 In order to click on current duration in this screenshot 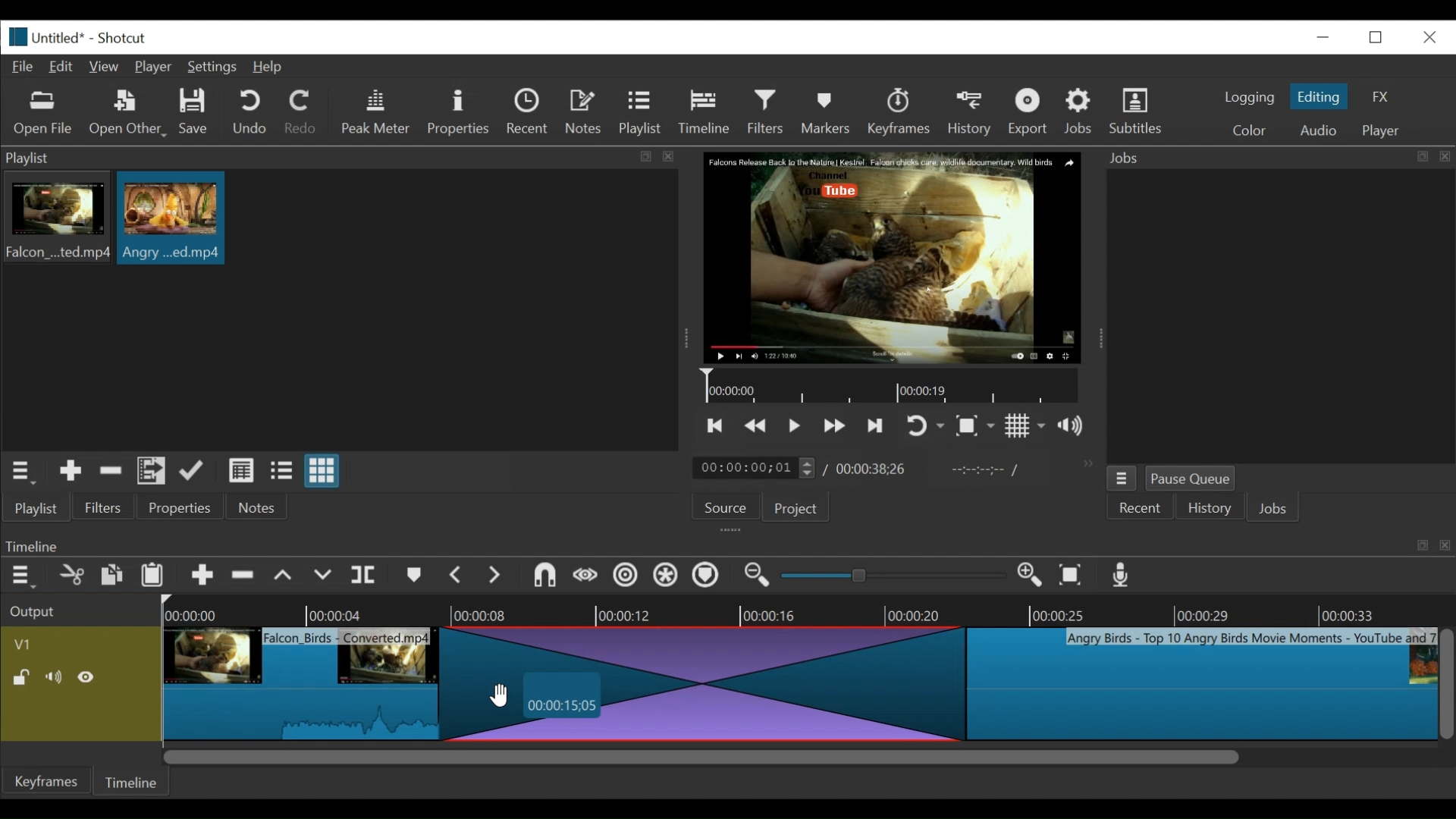, I will do `click(756, 469)`.